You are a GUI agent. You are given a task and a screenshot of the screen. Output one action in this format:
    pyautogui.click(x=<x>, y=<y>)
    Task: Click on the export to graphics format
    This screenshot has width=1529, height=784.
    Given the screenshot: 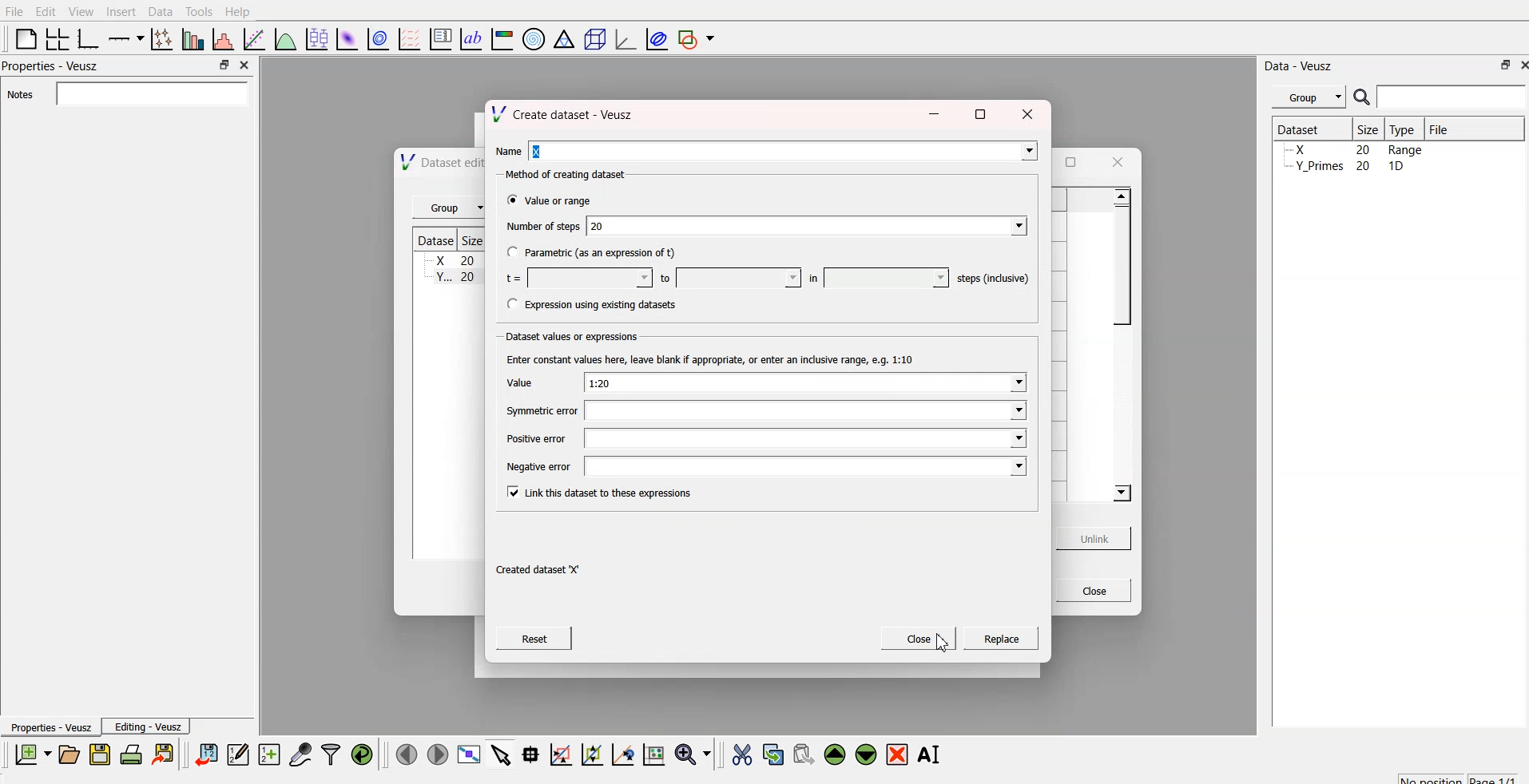 What is the action you would take?
    pyautogui.click(x=166, y=754)
    